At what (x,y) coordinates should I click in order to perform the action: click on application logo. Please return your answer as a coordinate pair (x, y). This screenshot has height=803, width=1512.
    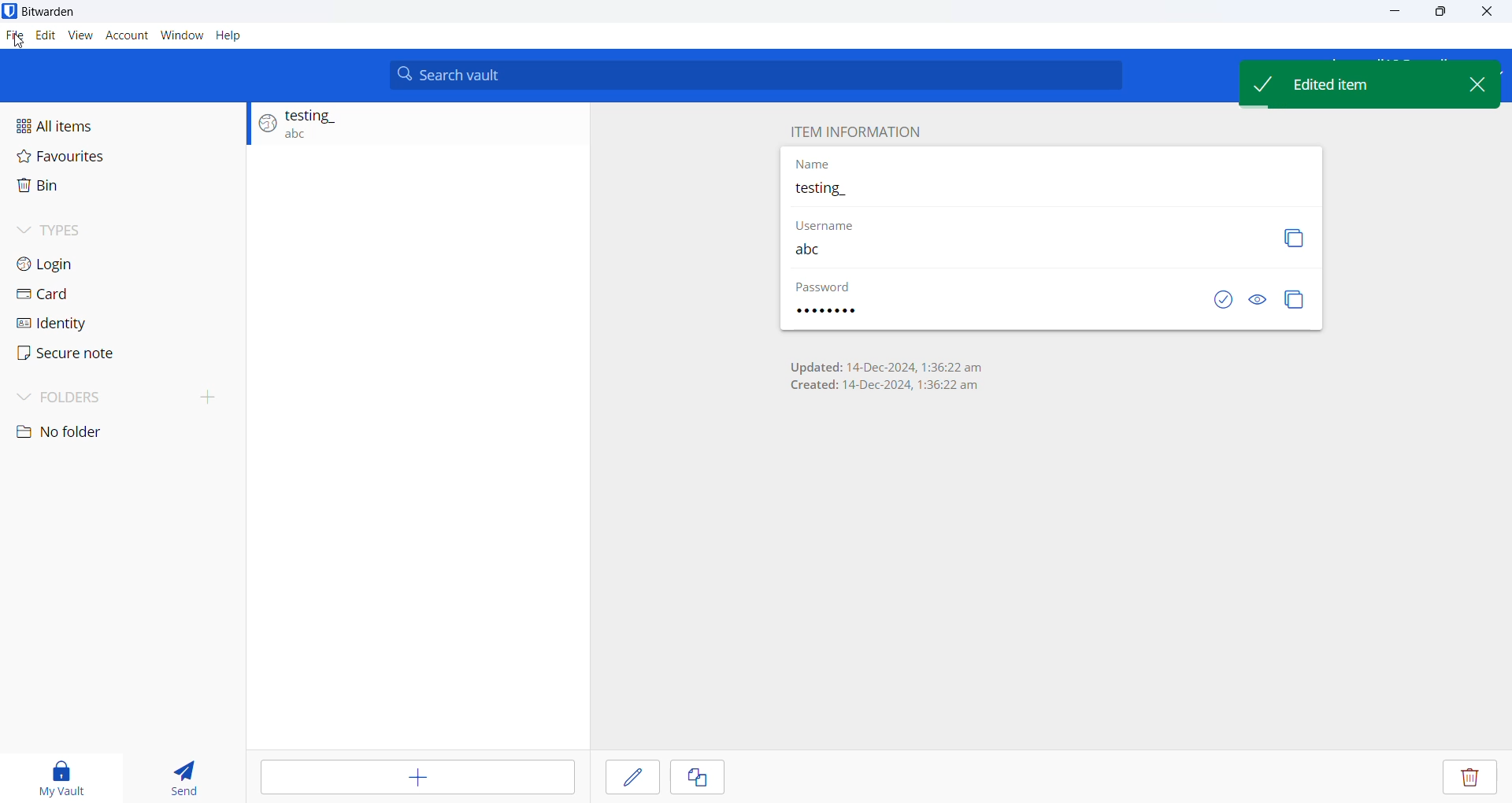
    Looking at the image, I should click on (9, 11).